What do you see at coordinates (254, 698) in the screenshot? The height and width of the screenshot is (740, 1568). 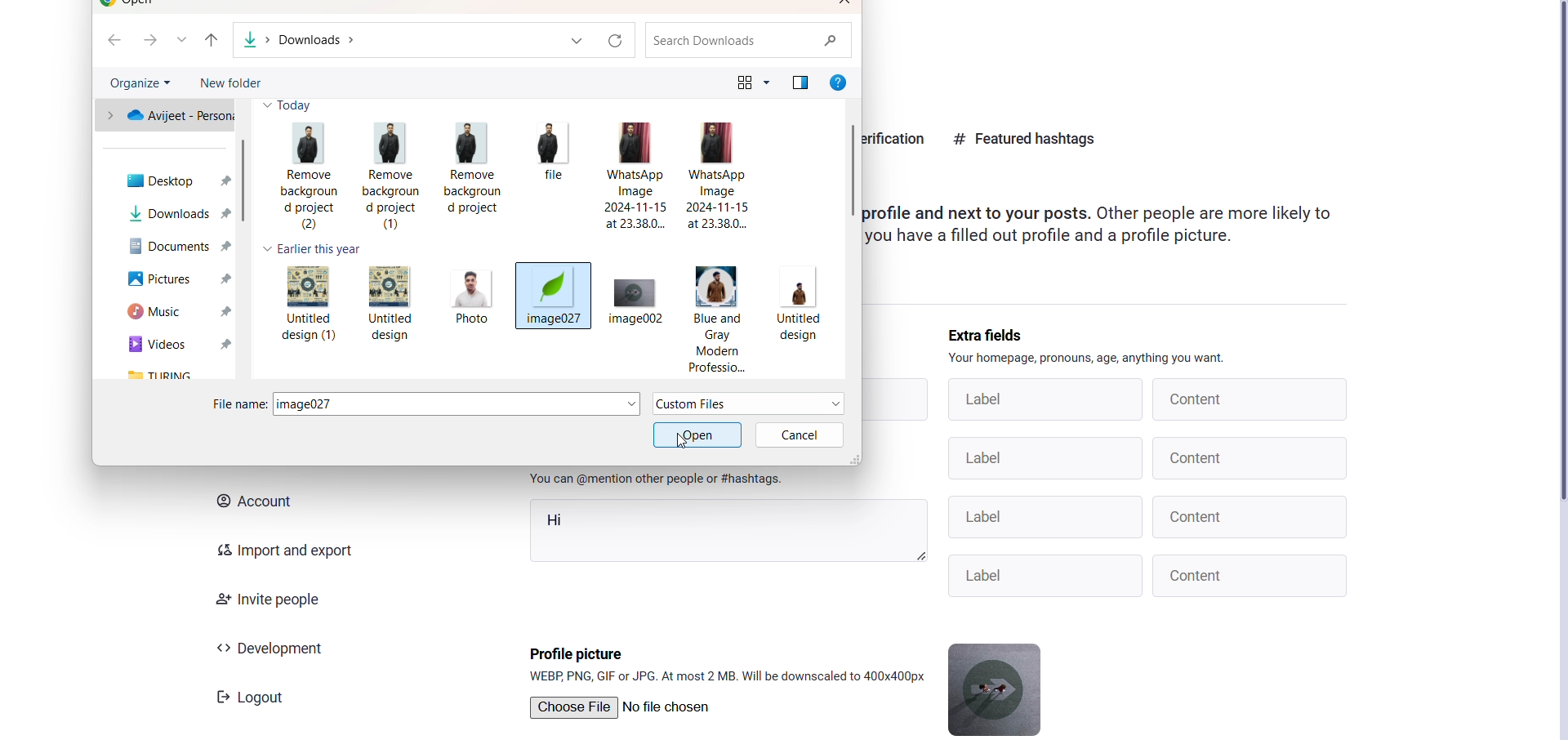 I see `Logout` at bounding box center [254, 698].